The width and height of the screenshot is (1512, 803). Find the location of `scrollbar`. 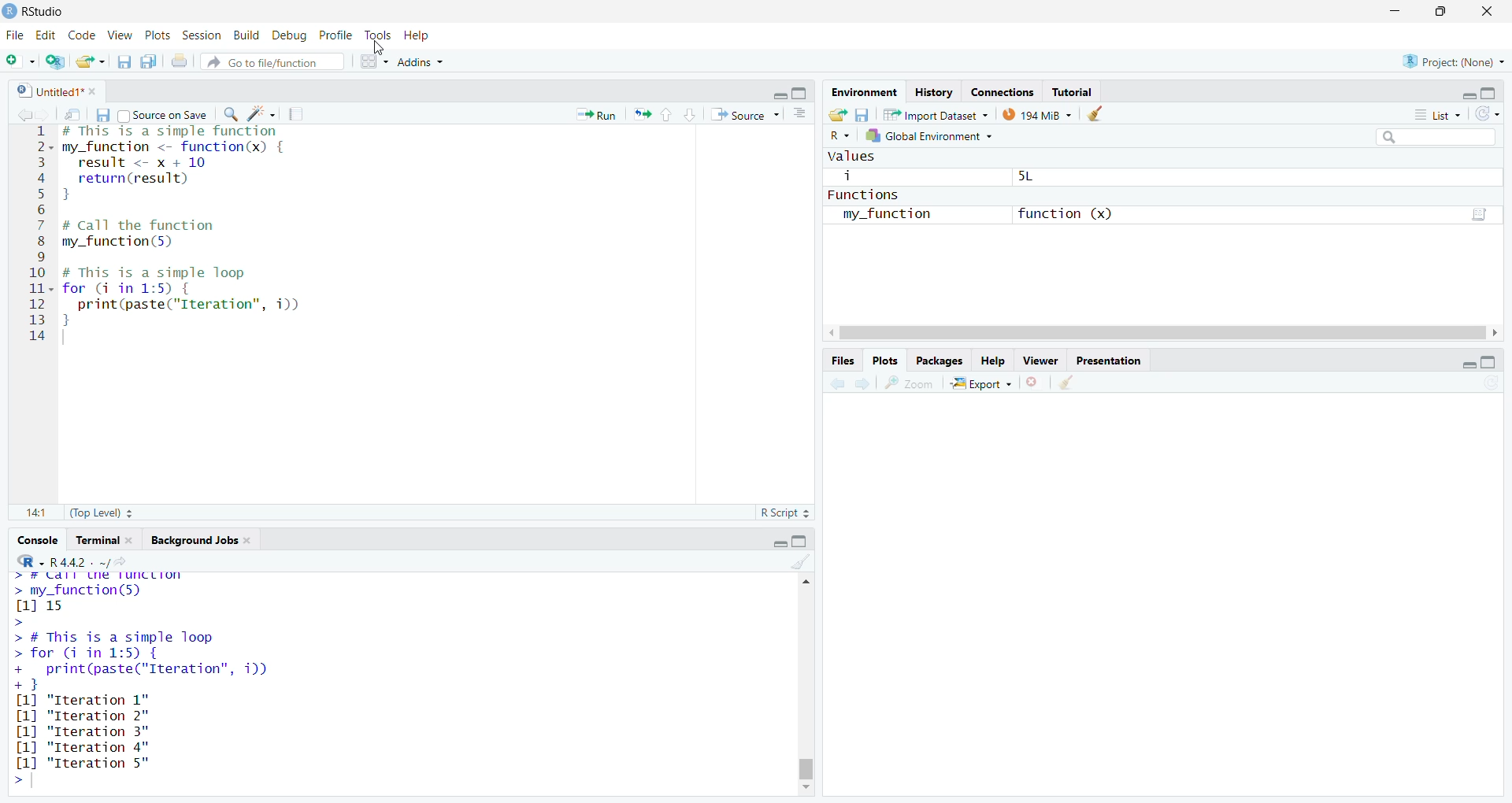

scrollbar is located at coordinates (806, 689).